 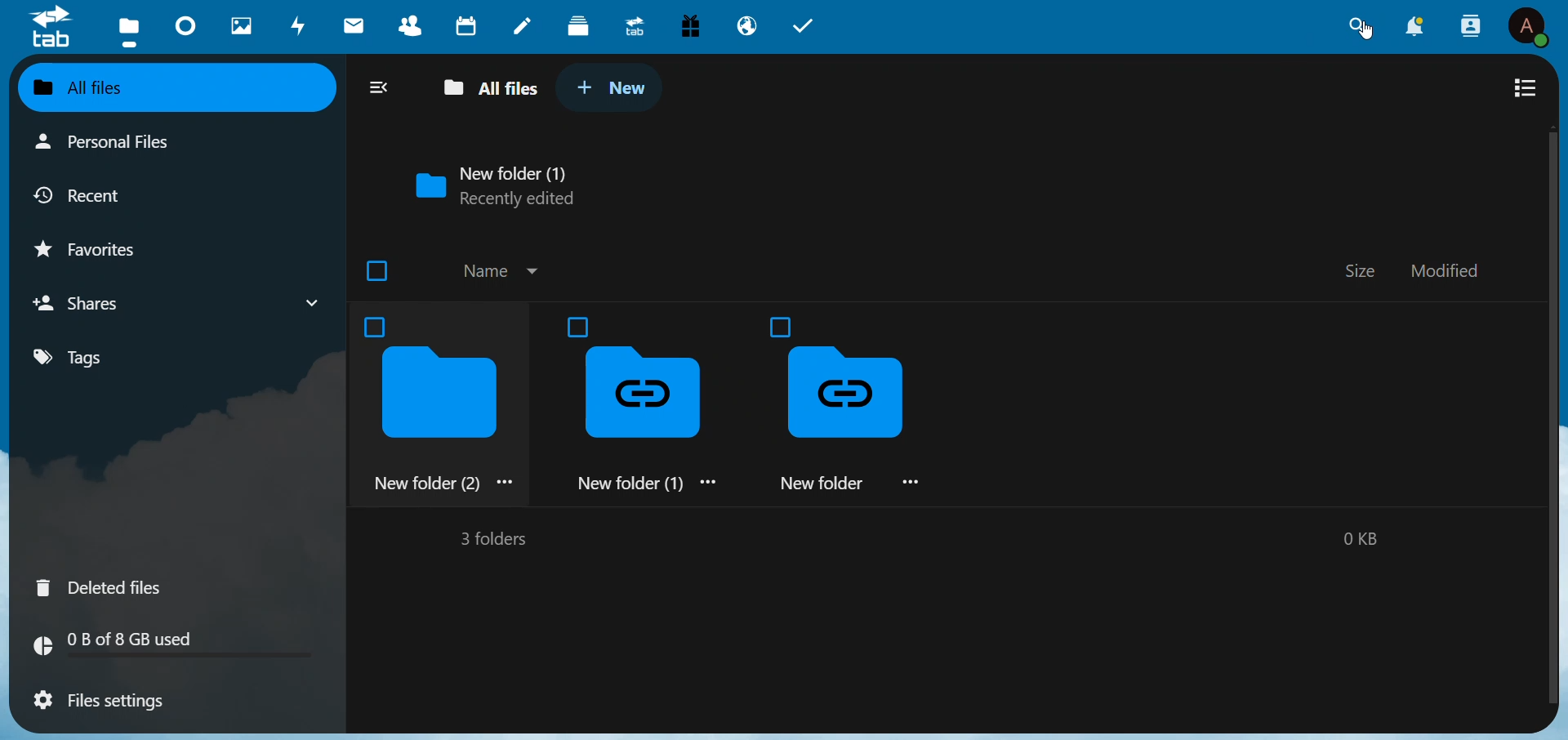 What do you see at coordinates (1372, 39) in the screenshot?
I see `cursor` at bounding box center [1372, 39].